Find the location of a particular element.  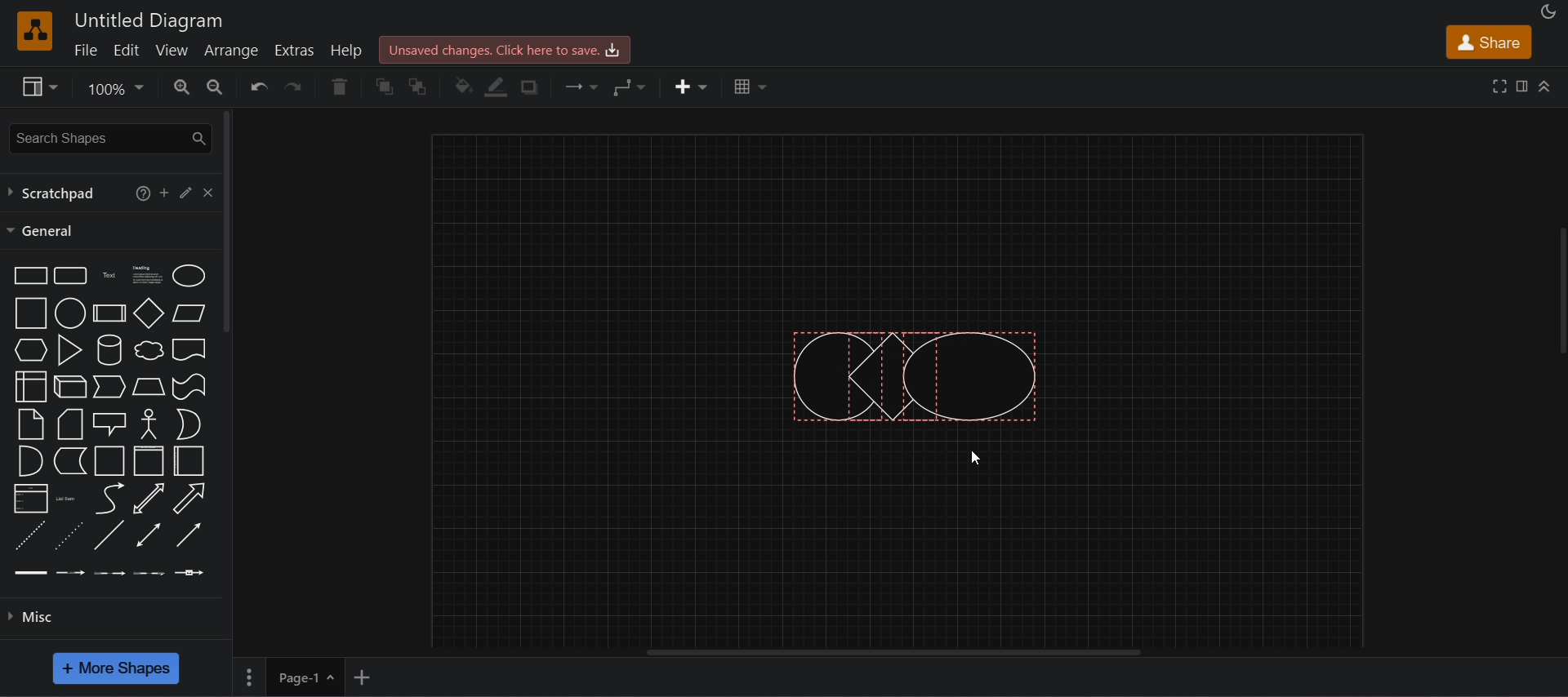

c is located at coordinates (207, 190).